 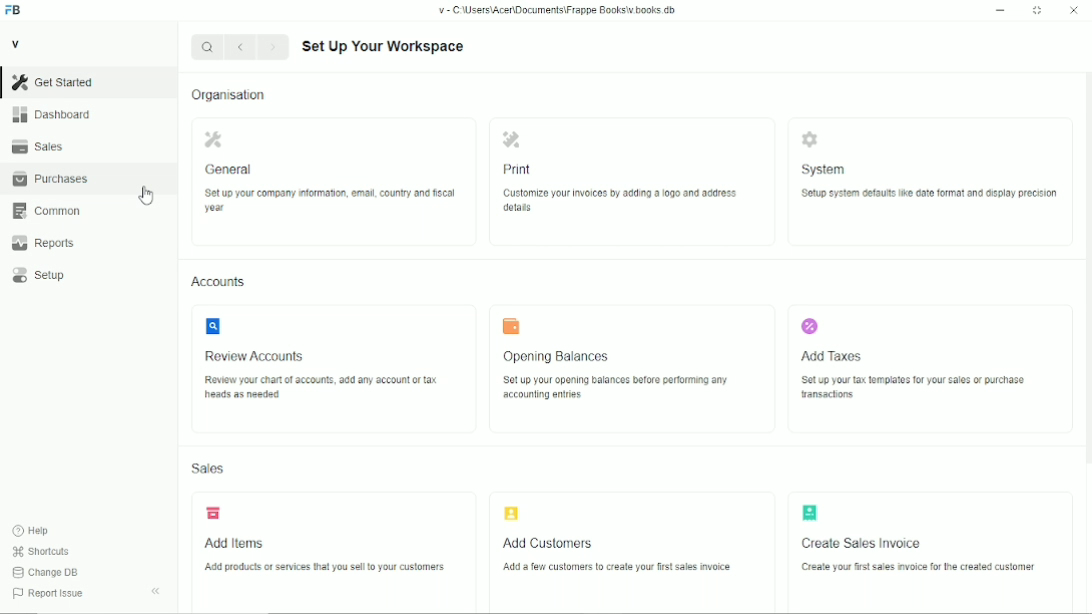 What do you see at coordinates (619, 200) in the screenshot?
I see ` Customize your invoices by adding a logo and address details` at bounding box center [619, 200].